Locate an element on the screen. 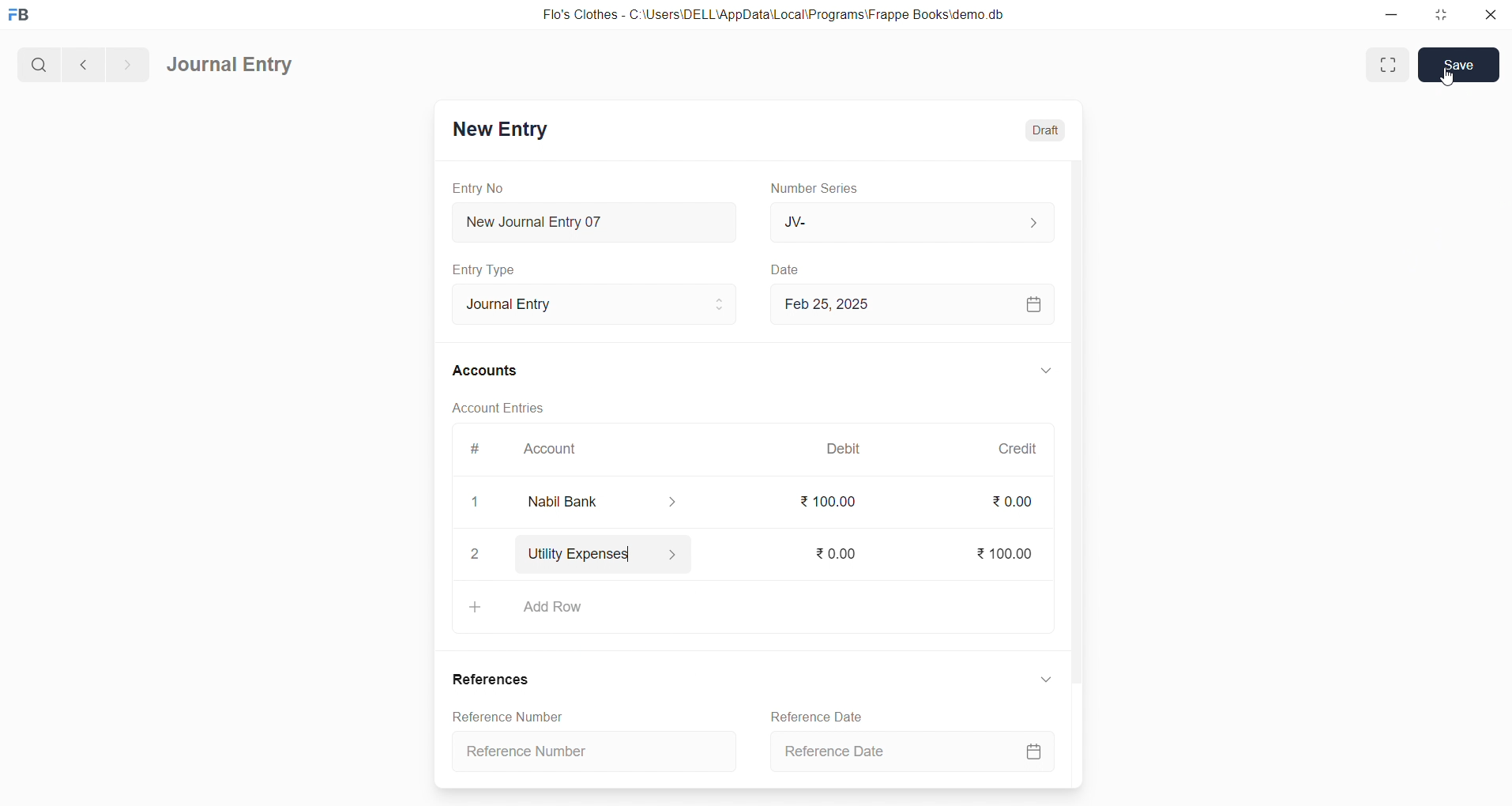 This screenshot has height=806, width=1512. References is located at coordinates (491, 680).